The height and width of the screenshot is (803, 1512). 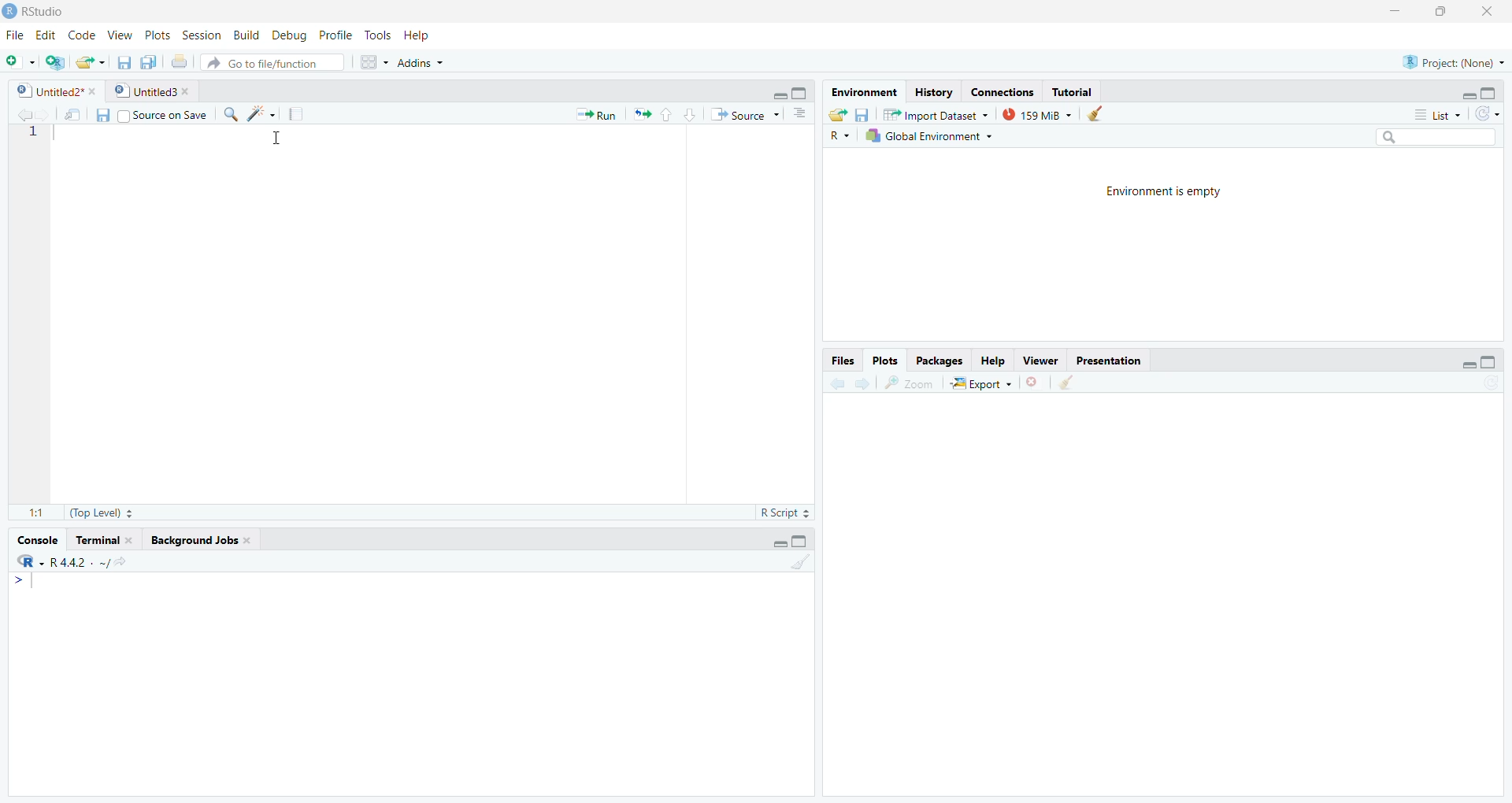 I want to click on List , so click(x=1437, y=115).